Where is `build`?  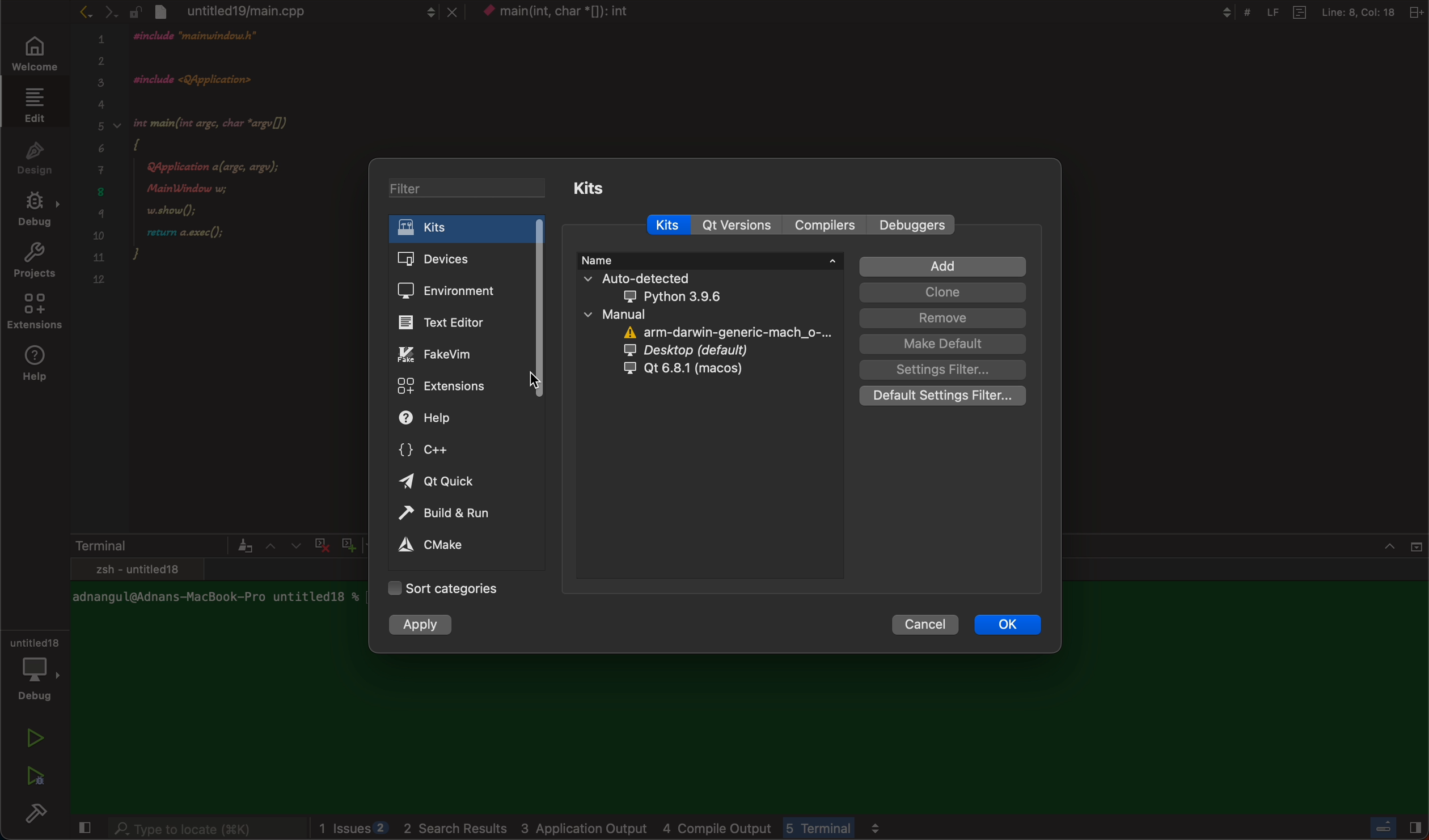 build is located at coordinates (40, 816).